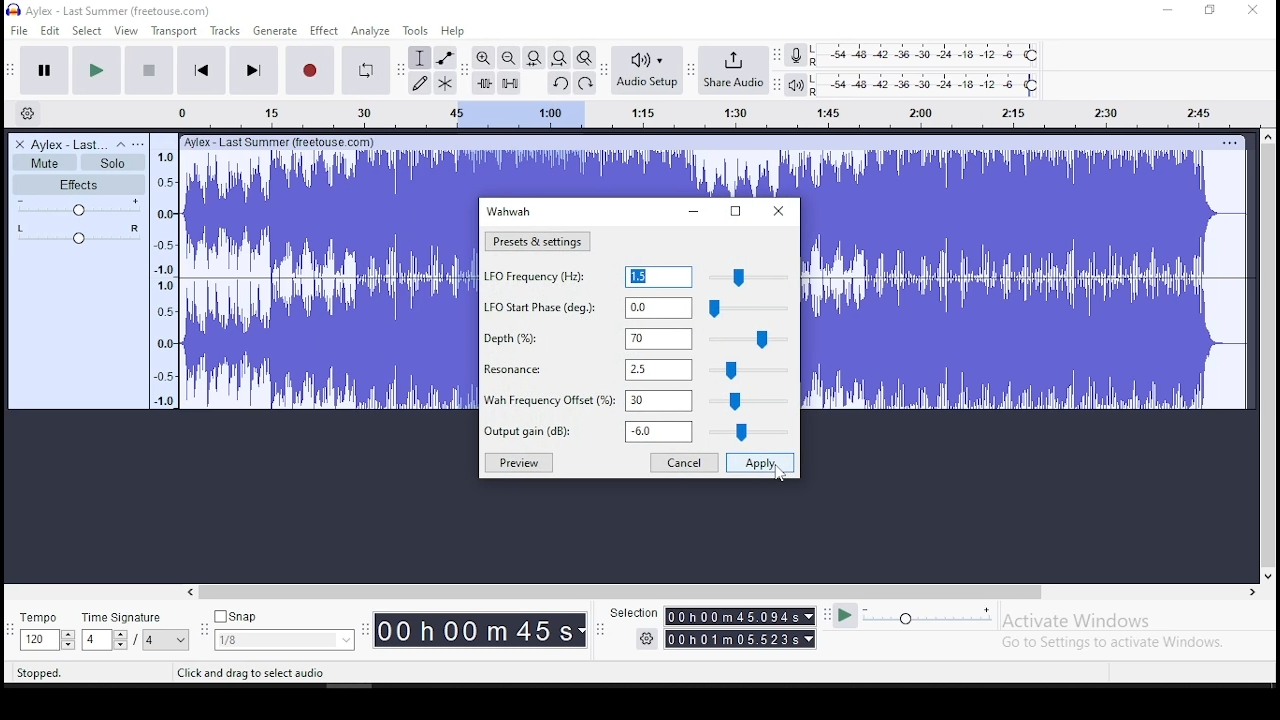 This screenshot has height=720, width=1280. What do you see at coordinates (747, 308) in the screenshot?
I see `LFO start phase (deg.) slider` at bounding box center [747, 308].